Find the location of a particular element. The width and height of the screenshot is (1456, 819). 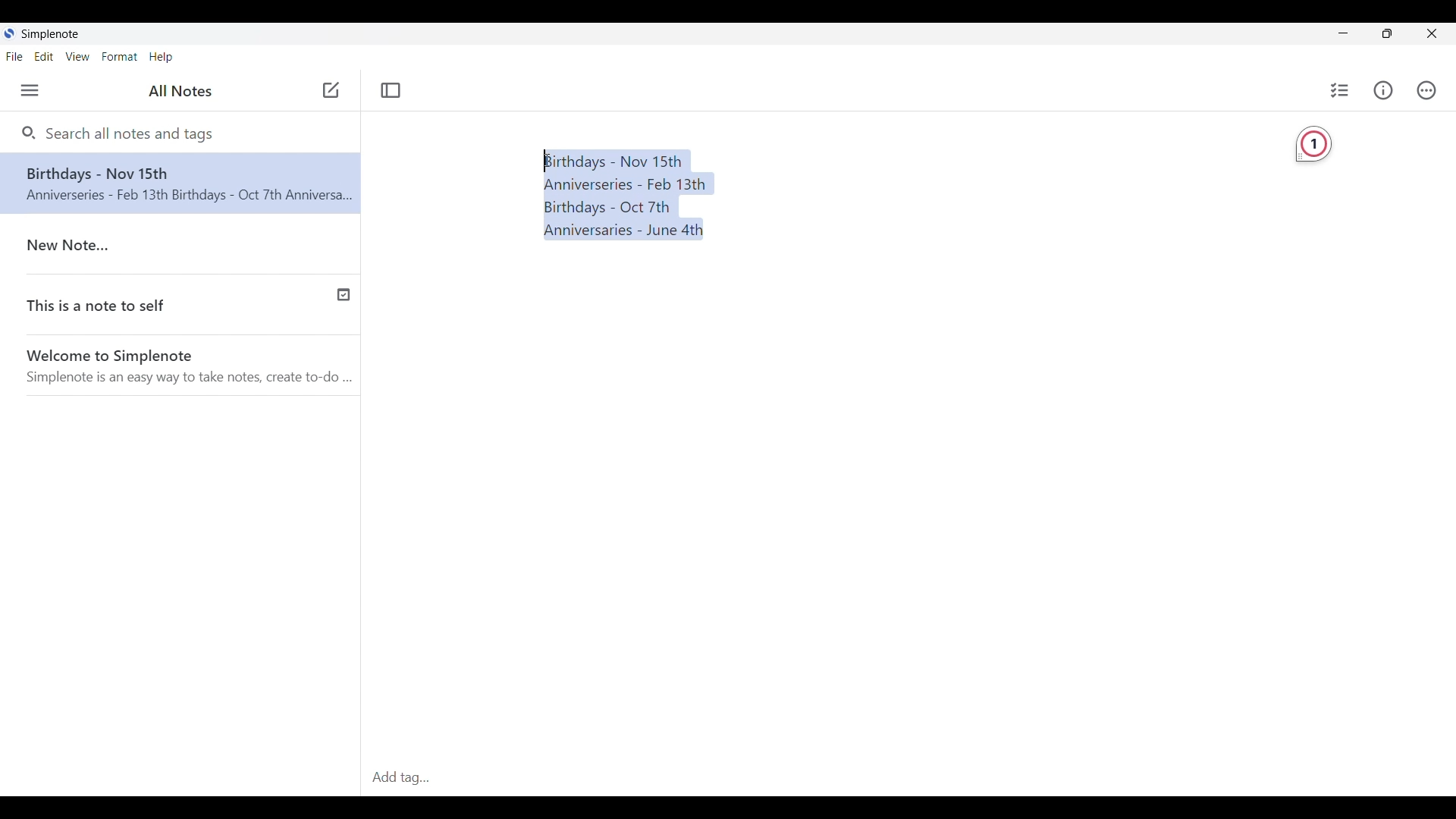

Minimize is located at coordinates (1344, 33).